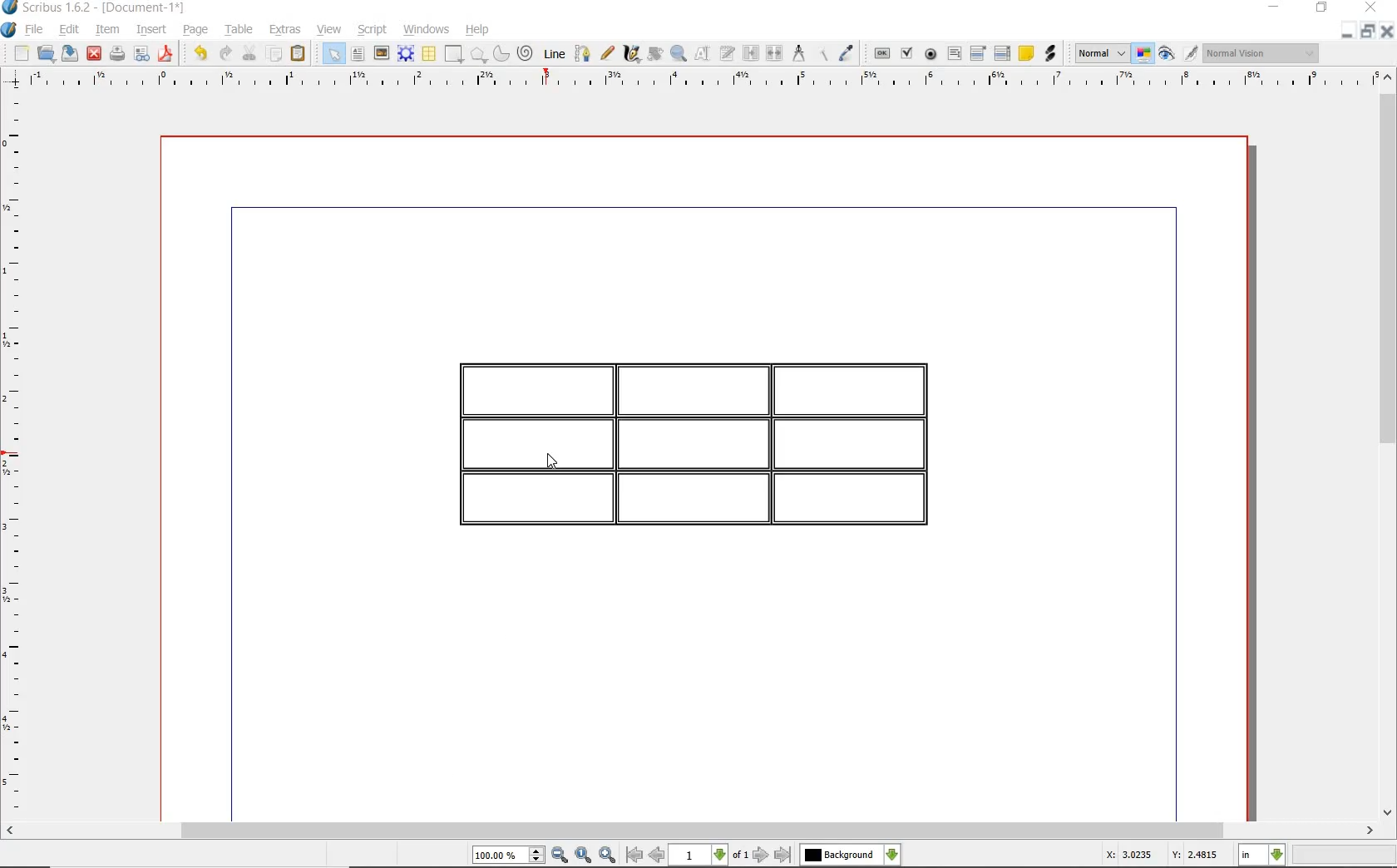 This screenshot has width=1397, height=868. Describe the element at coordinates (429, 55) in the screenshot. I see `table` at that location.